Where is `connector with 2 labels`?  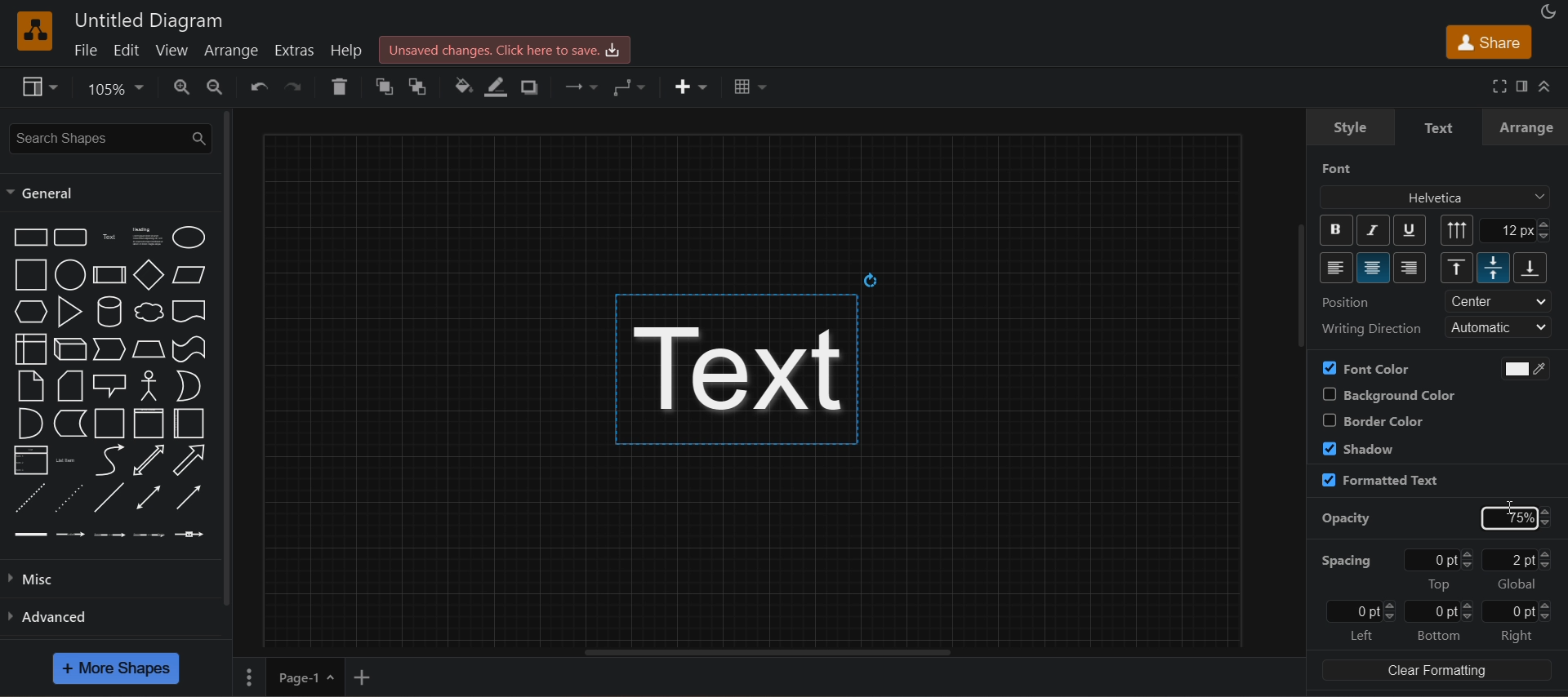 connector with 2 labels is located at coordinates (110, 535).